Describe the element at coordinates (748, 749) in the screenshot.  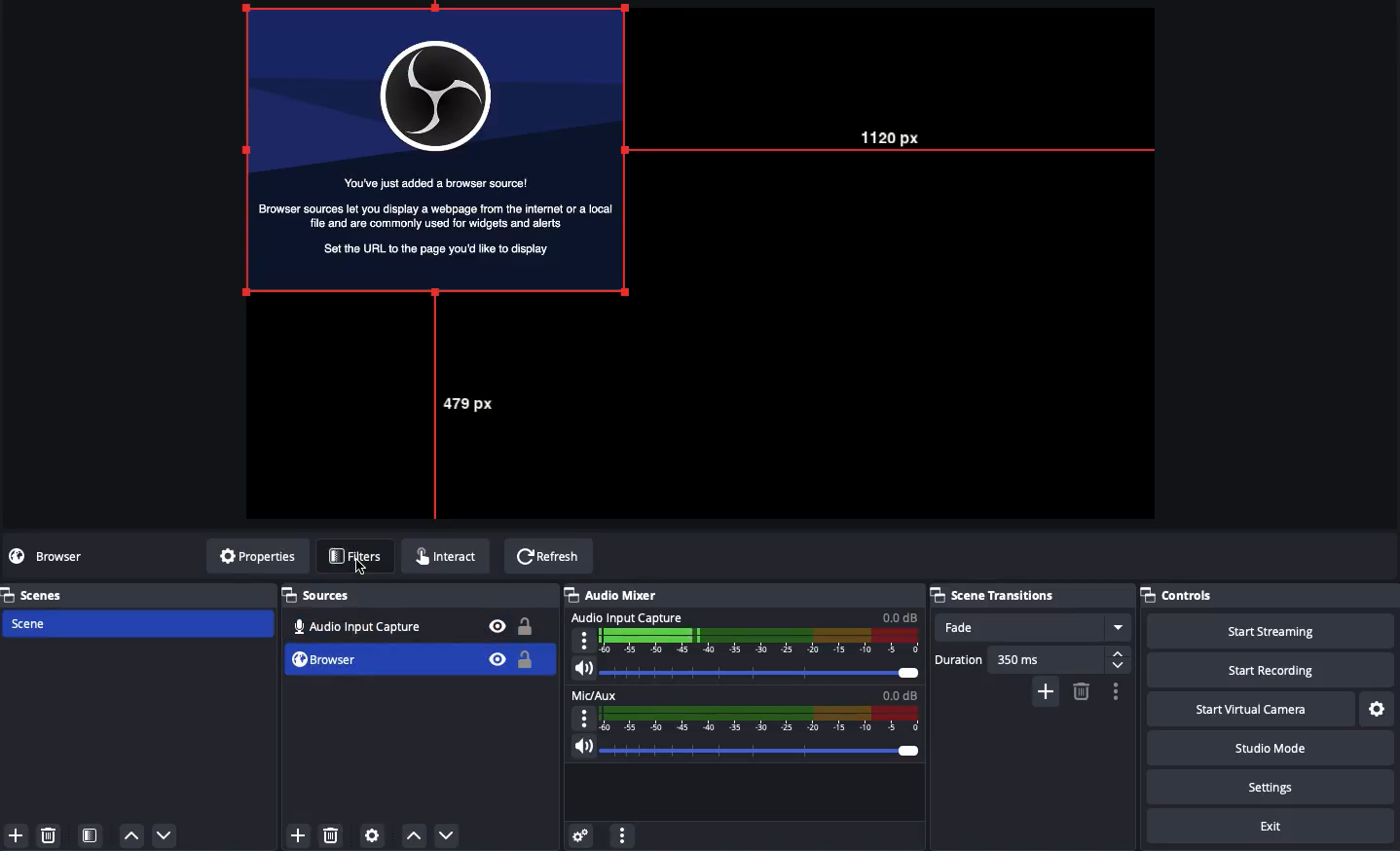
I see `Volume` at that location.